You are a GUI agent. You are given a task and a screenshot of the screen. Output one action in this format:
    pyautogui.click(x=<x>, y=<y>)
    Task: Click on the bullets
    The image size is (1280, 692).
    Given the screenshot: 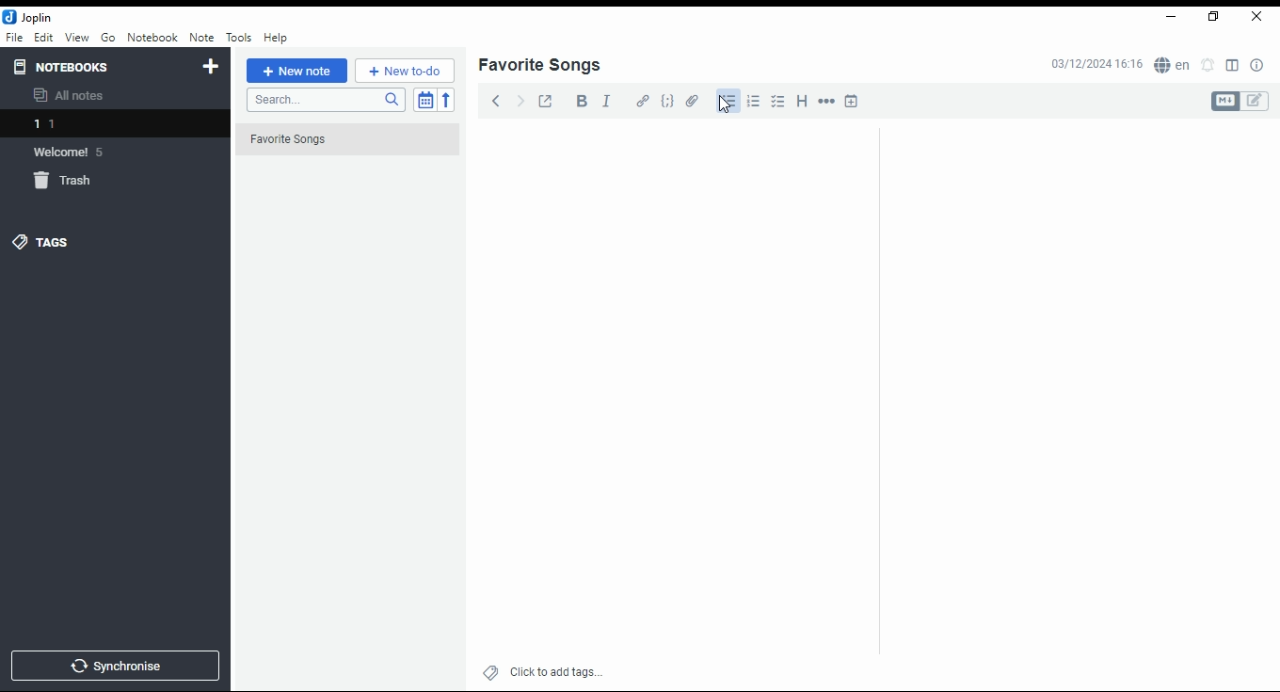 What is the action you would take?
    pyautogui.click(x=727, y=101)
    